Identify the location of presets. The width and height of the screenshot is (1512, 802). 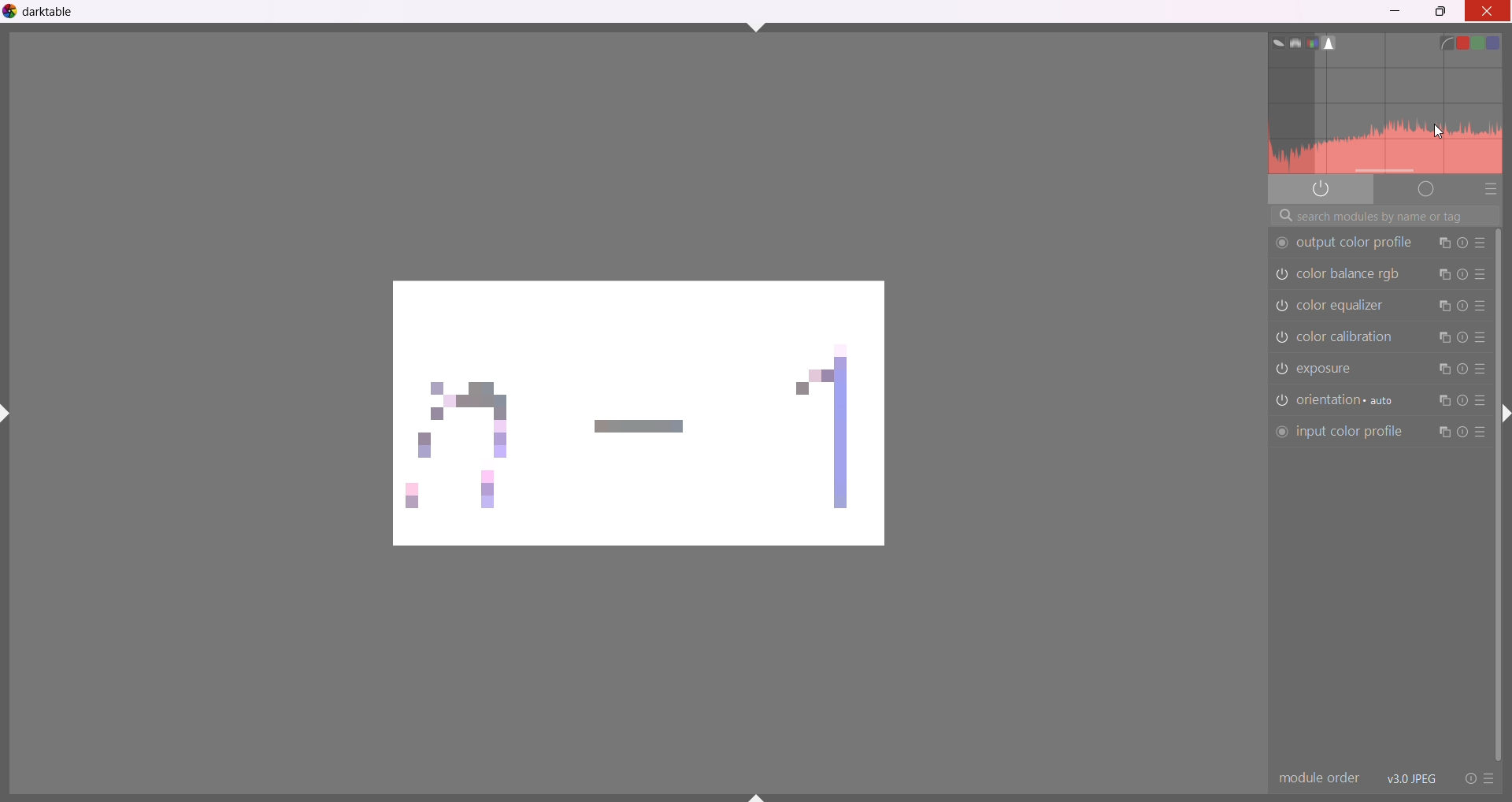
(1480, 436).